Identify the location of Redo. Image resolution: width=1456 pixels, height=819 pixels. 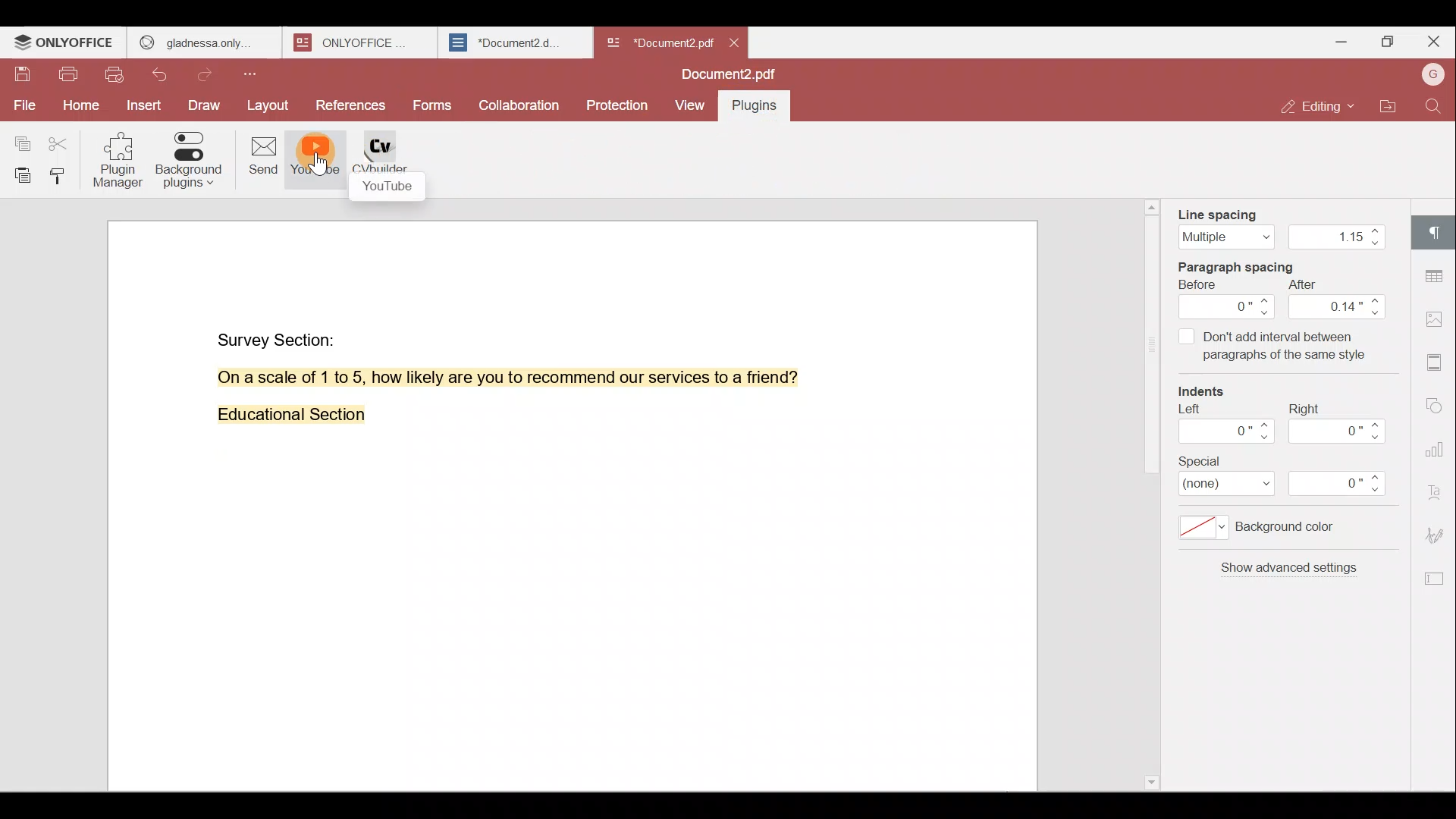
(209, 75).